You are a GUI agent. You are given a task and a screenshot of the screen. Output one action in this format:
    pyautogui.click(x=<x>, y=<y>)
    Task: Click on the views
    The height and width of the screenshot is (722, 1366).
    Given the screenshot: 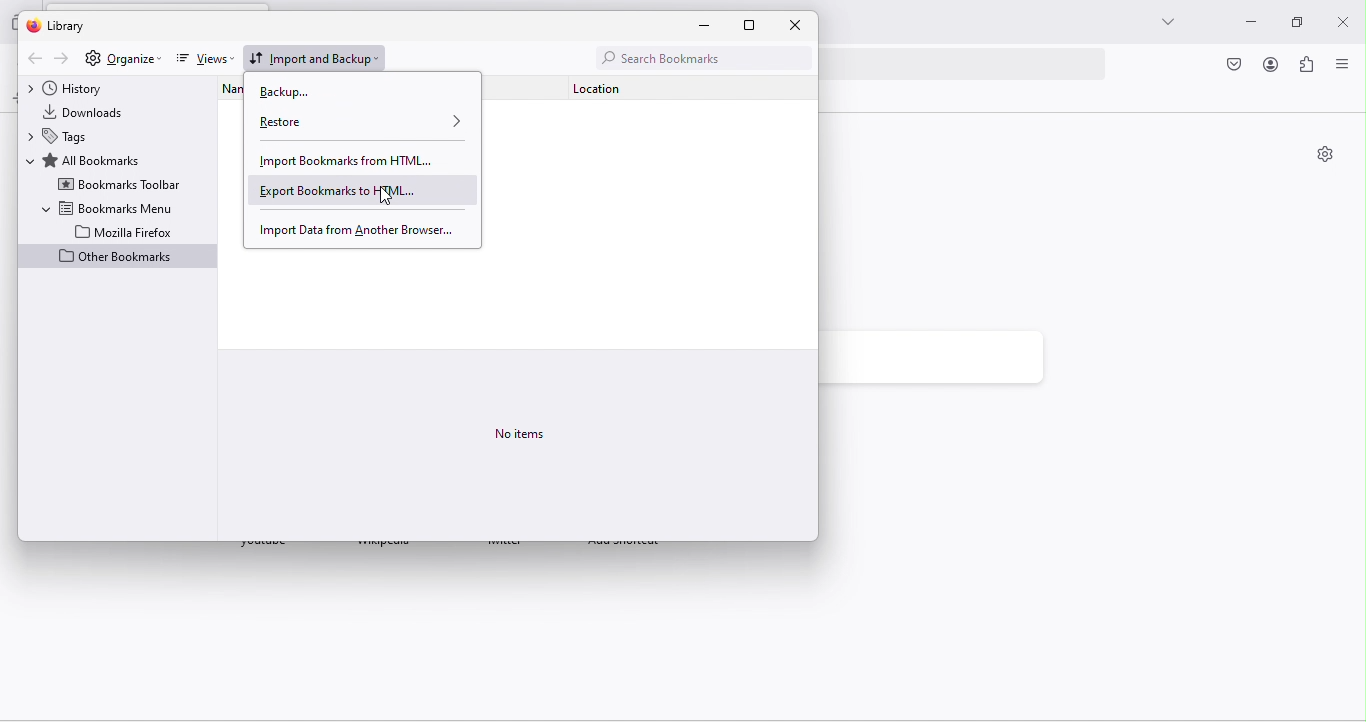 What is the action you would take?
    pyautogui.click(x=203, y=60)
    